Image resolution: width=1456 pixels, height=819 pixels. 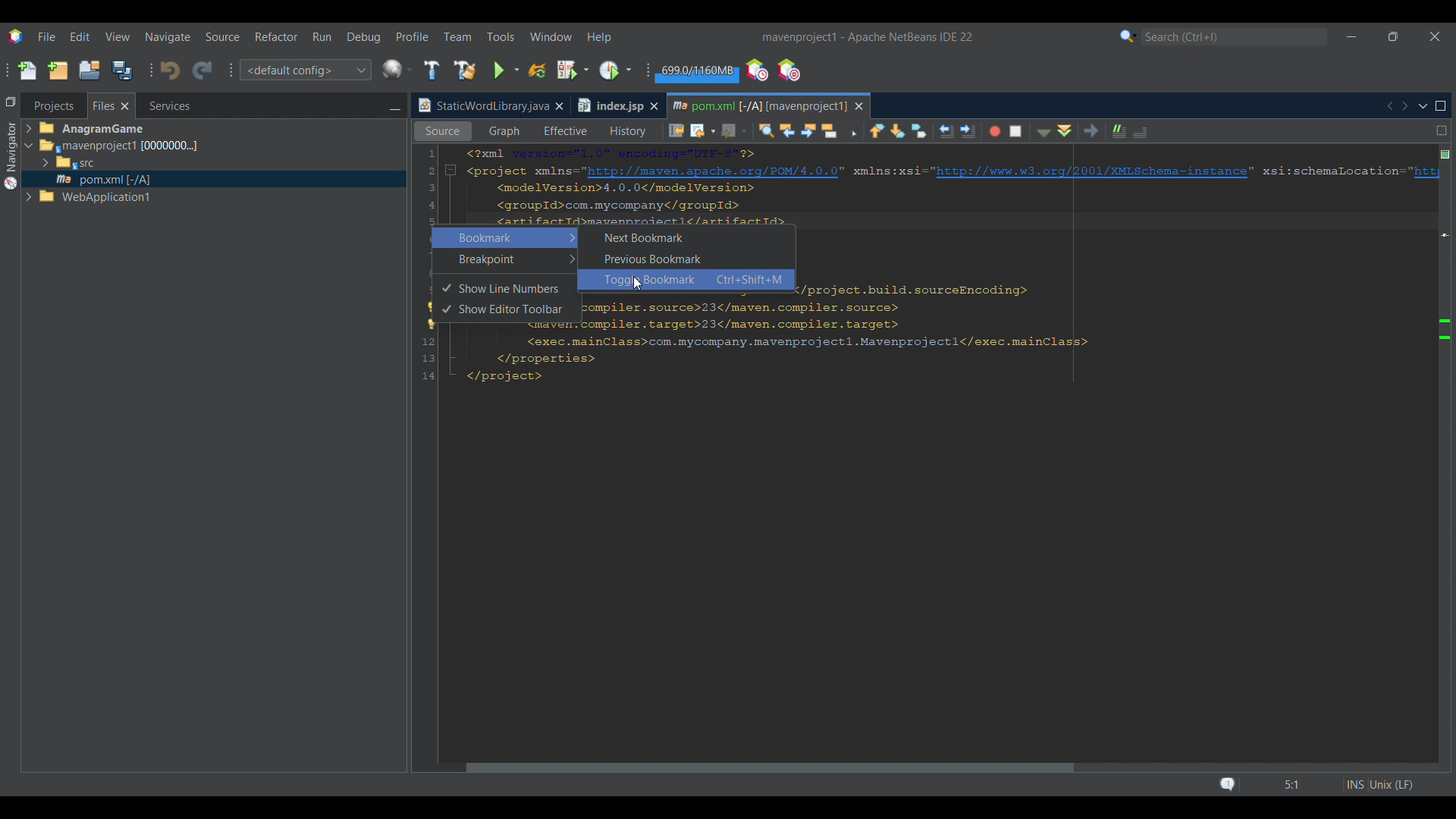 What do you see at coordinates (111, 105) in the screenshot?
I see `Current selection highlighted` at bounding box center [111, 105].